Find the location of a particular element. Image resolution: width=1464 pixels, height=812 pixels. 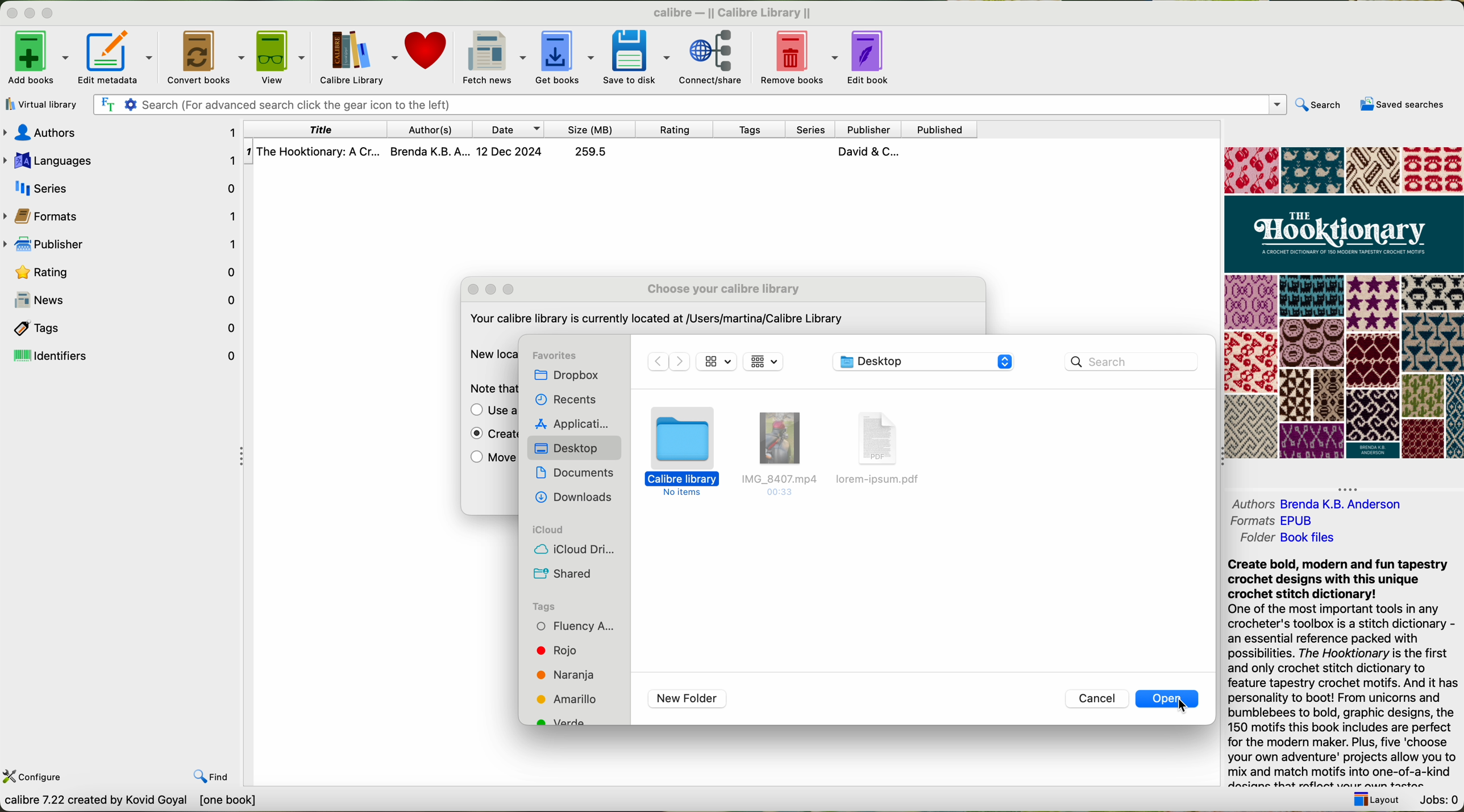

icloud is located at coordinates (551, 530).